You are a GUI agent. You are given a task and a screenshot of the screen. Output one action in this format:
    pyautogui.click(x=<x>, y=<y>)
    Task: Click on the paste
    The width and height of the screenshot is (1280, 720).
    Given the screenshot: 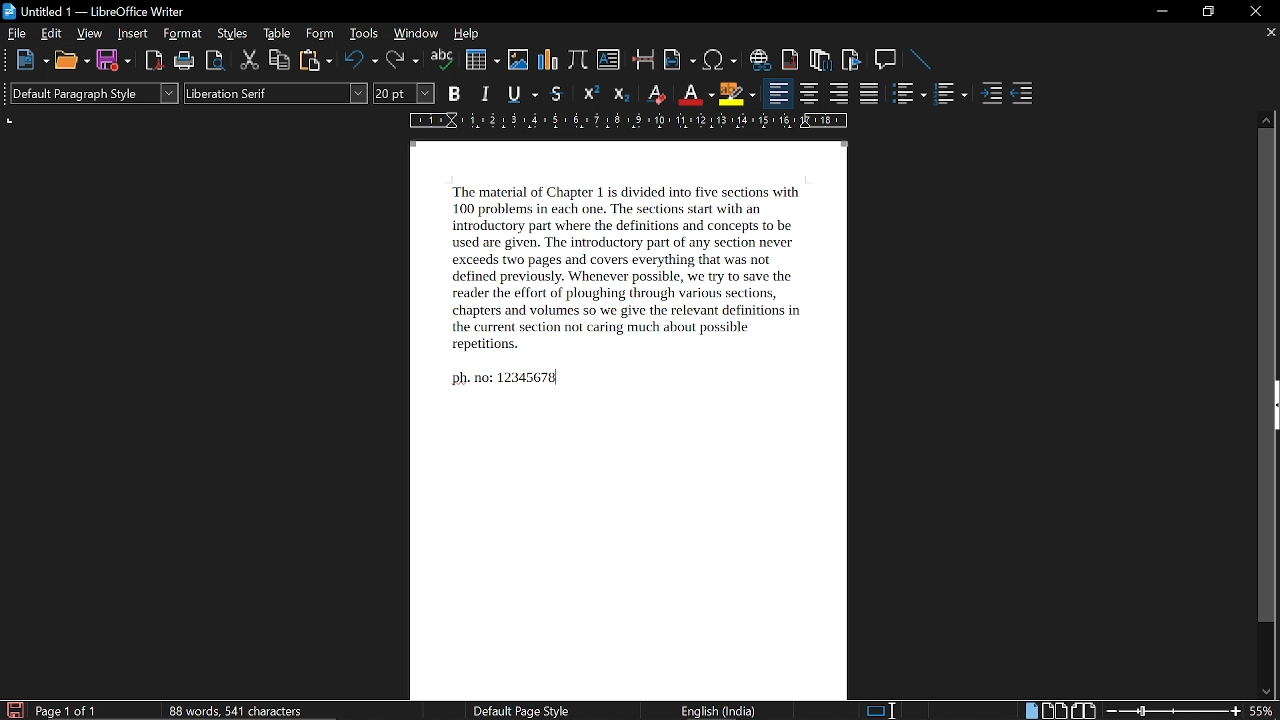 What is the action you would take?
    pyautogui.click(x=316, y=60)
    